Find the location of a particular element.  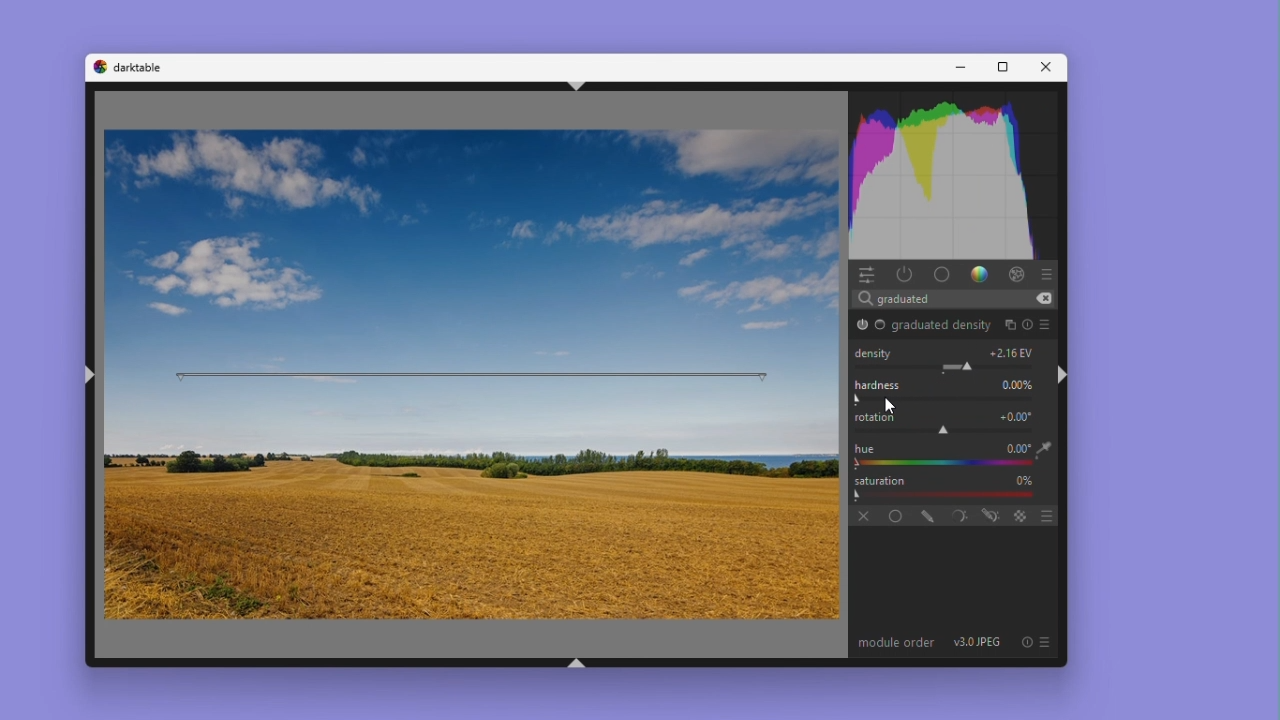

Histogram is located at coordinates (956, 172).